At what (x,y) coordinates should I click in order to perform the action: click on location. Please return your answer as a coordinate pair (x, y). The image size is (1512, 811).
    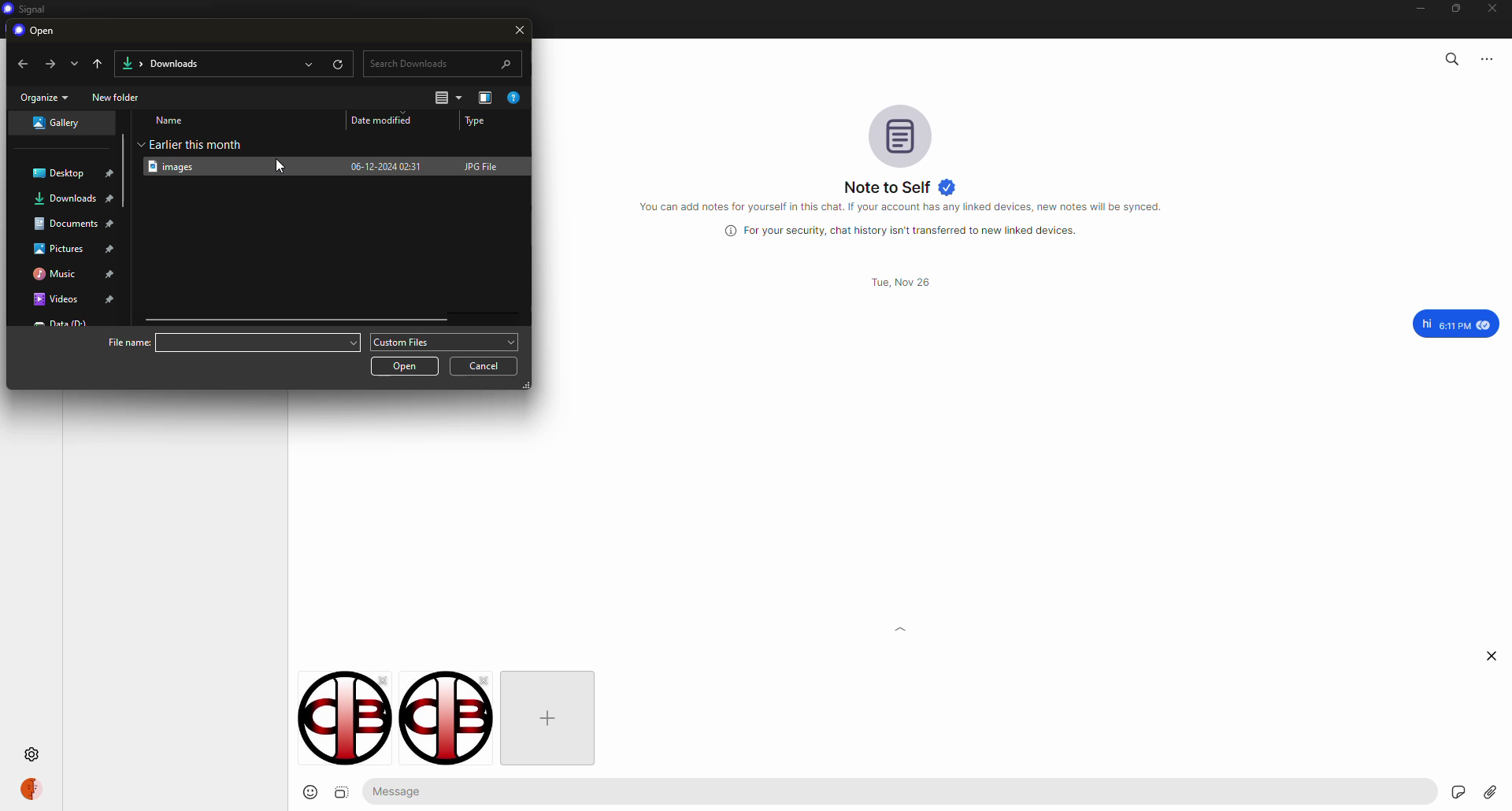
    Looking at the image, I should click on (65, 198).